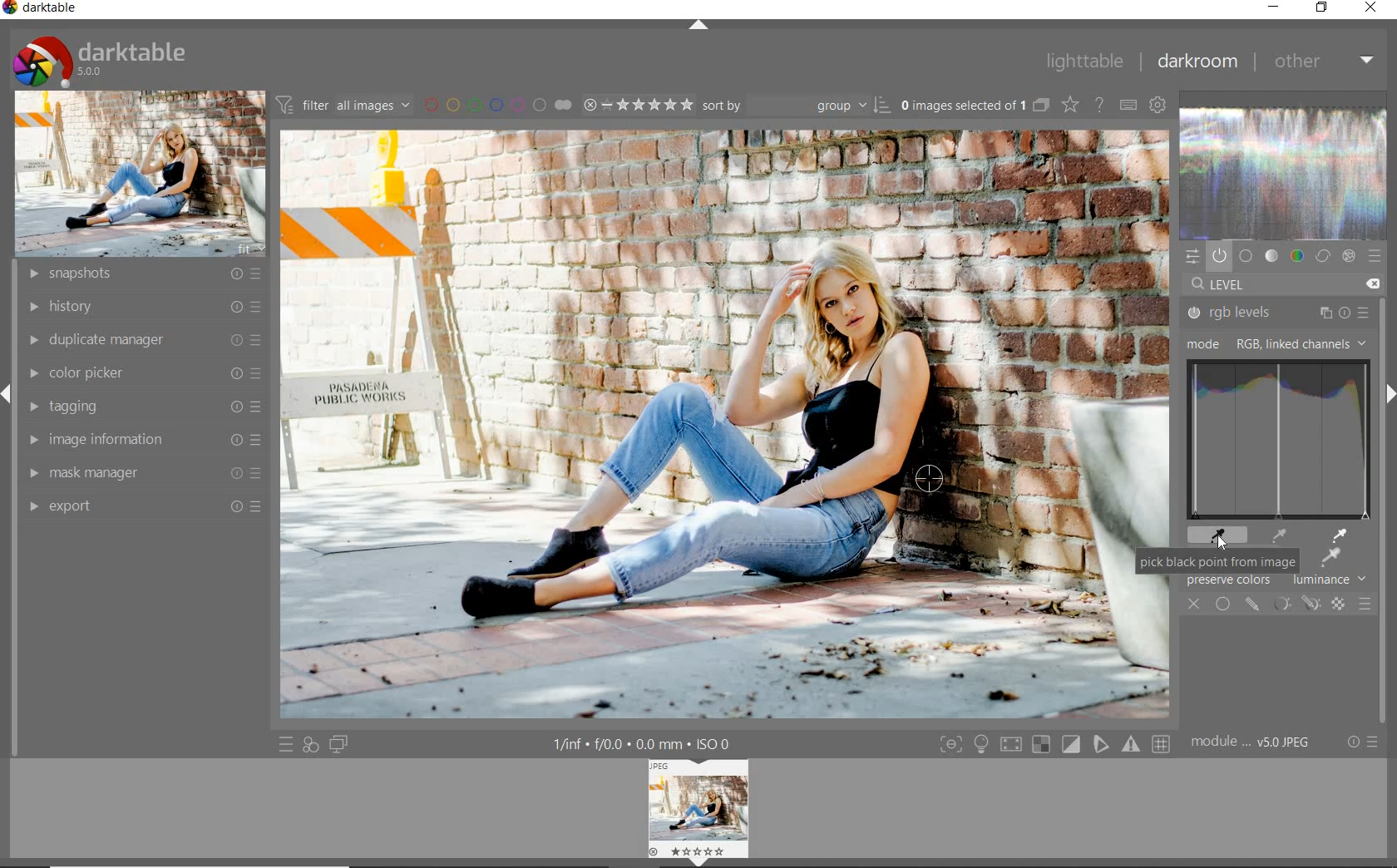 The width and height of the screenshot is (1397, 868). What do you see at coordinates (702, 28) in the screenshot?
I see `expand/collapse` at bounding box center [702, 28].